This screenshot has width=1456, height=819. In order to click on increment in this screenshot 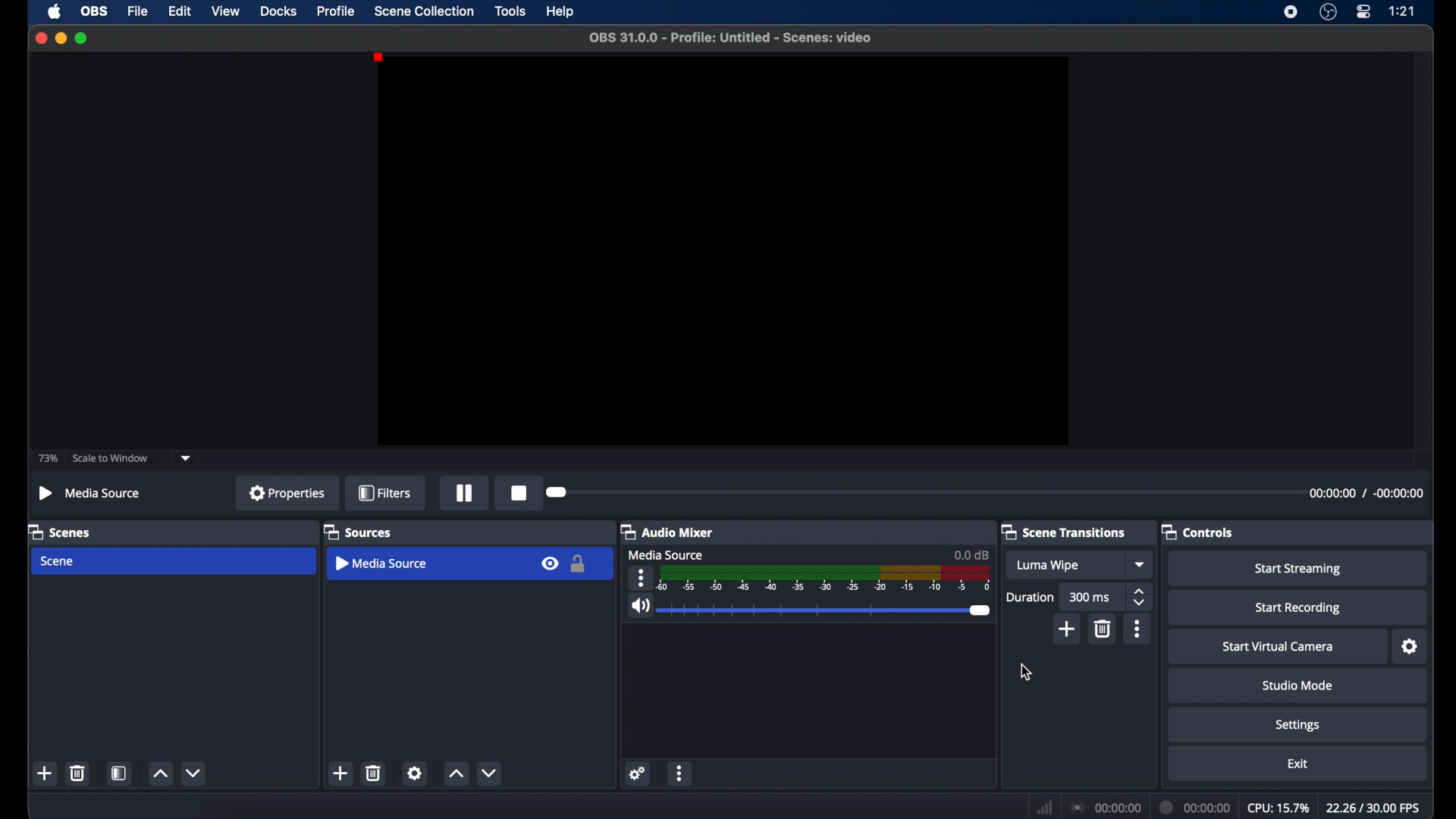, I will do `click(159, 773)`.